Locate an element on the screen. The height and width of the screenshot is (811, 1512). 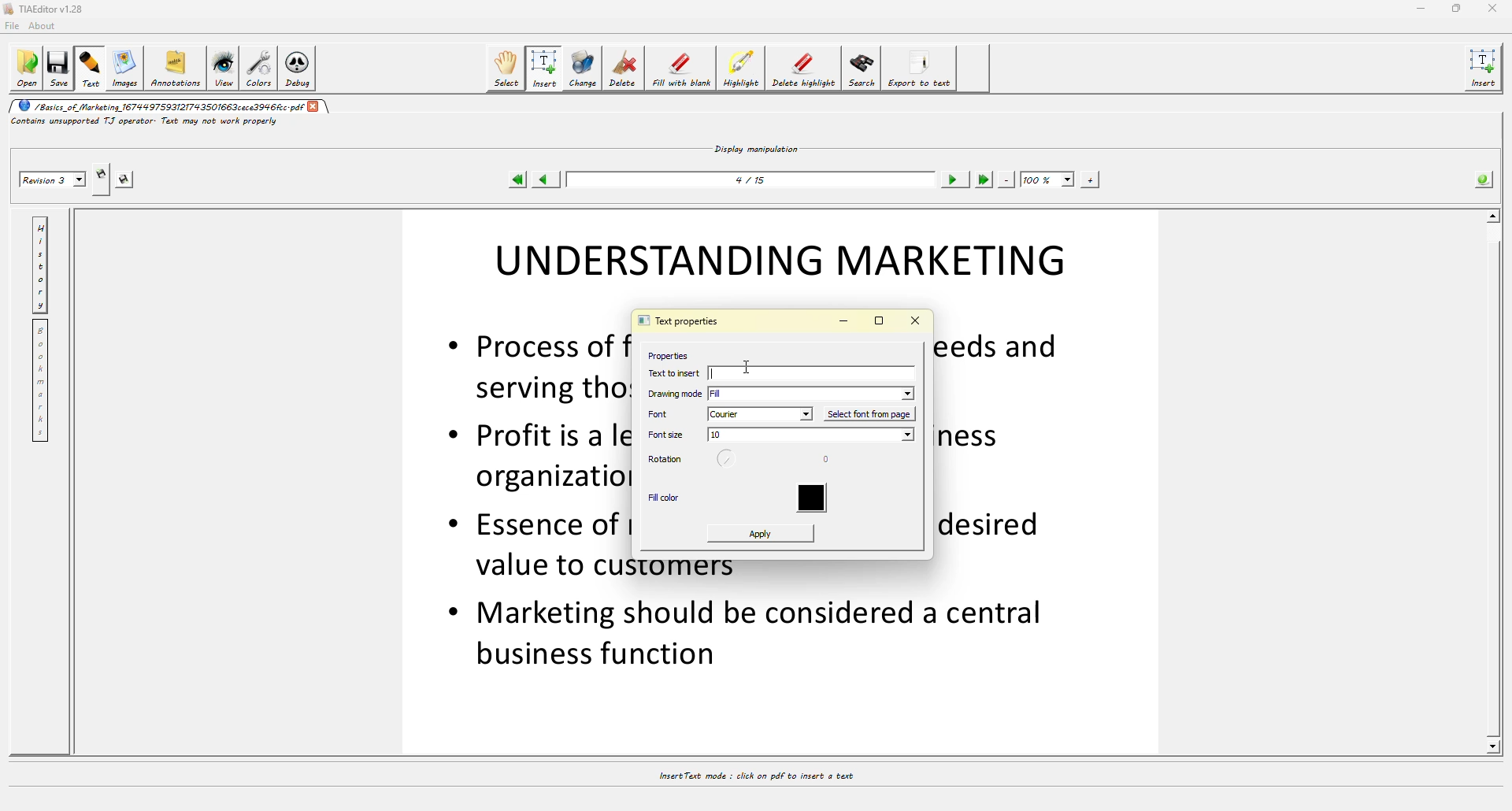
previous page is located at coordinates (548, 180).